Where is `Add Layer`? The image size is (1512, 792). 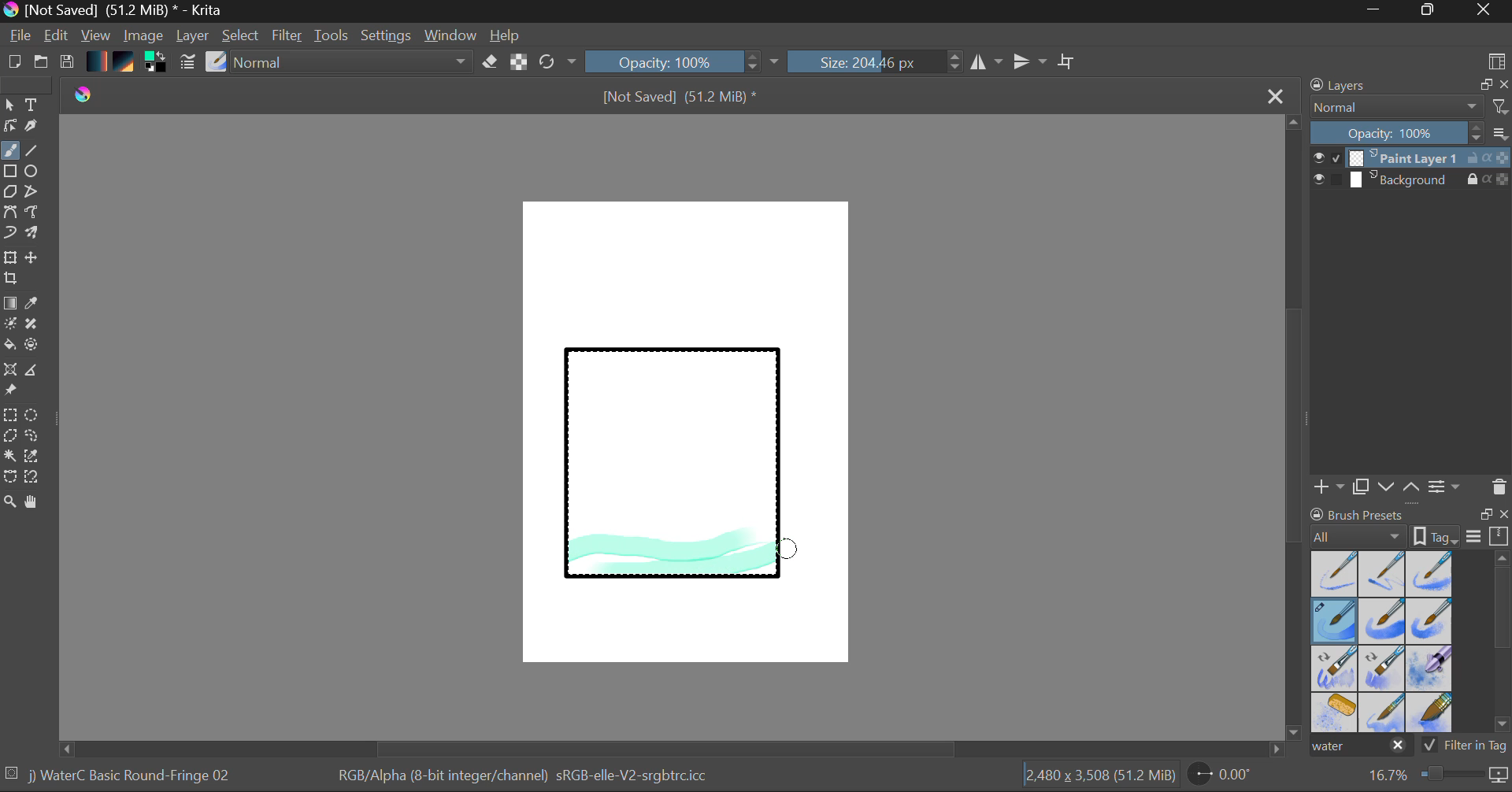
Add Layer is located at coordinates (1329, 487).